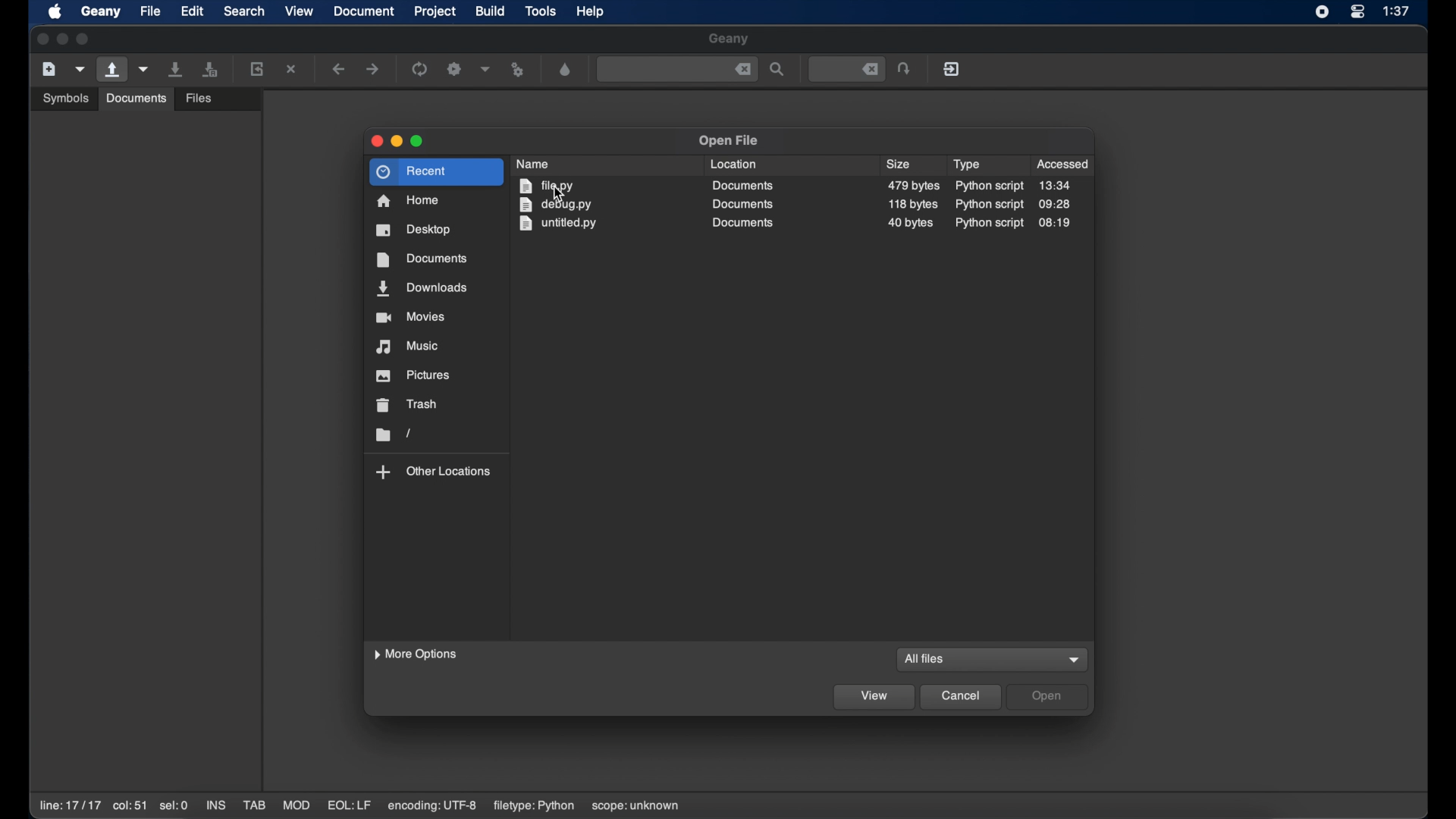 This screenshot has width=1456, height=819. What do you see at coordinates (414, 230) in the screenshot?
I see `desktop` at bounding box center [414, 230].